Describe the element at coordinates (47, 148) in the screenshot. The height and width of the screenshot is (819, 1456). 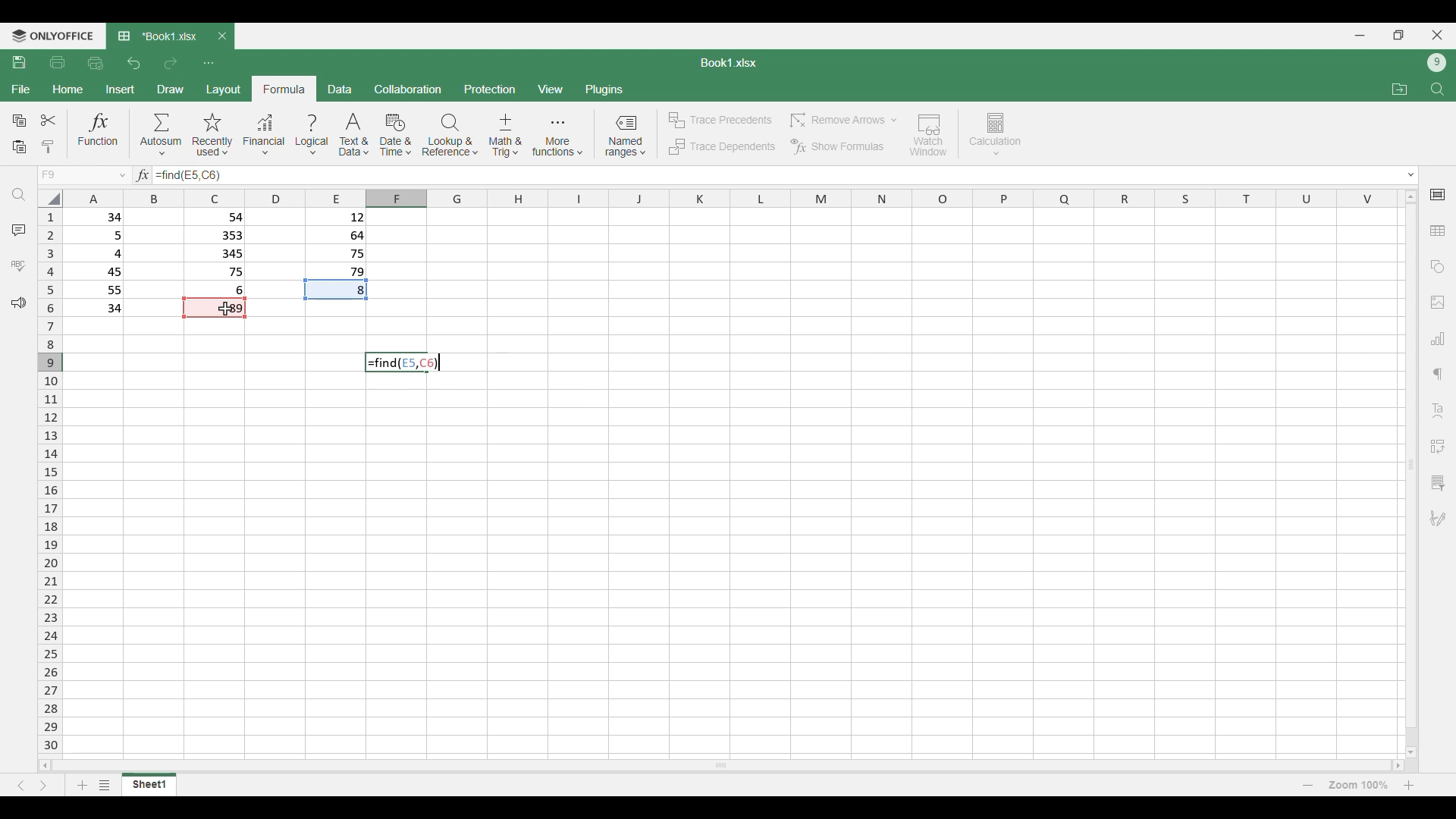
I see `Clone formatting` at that location.